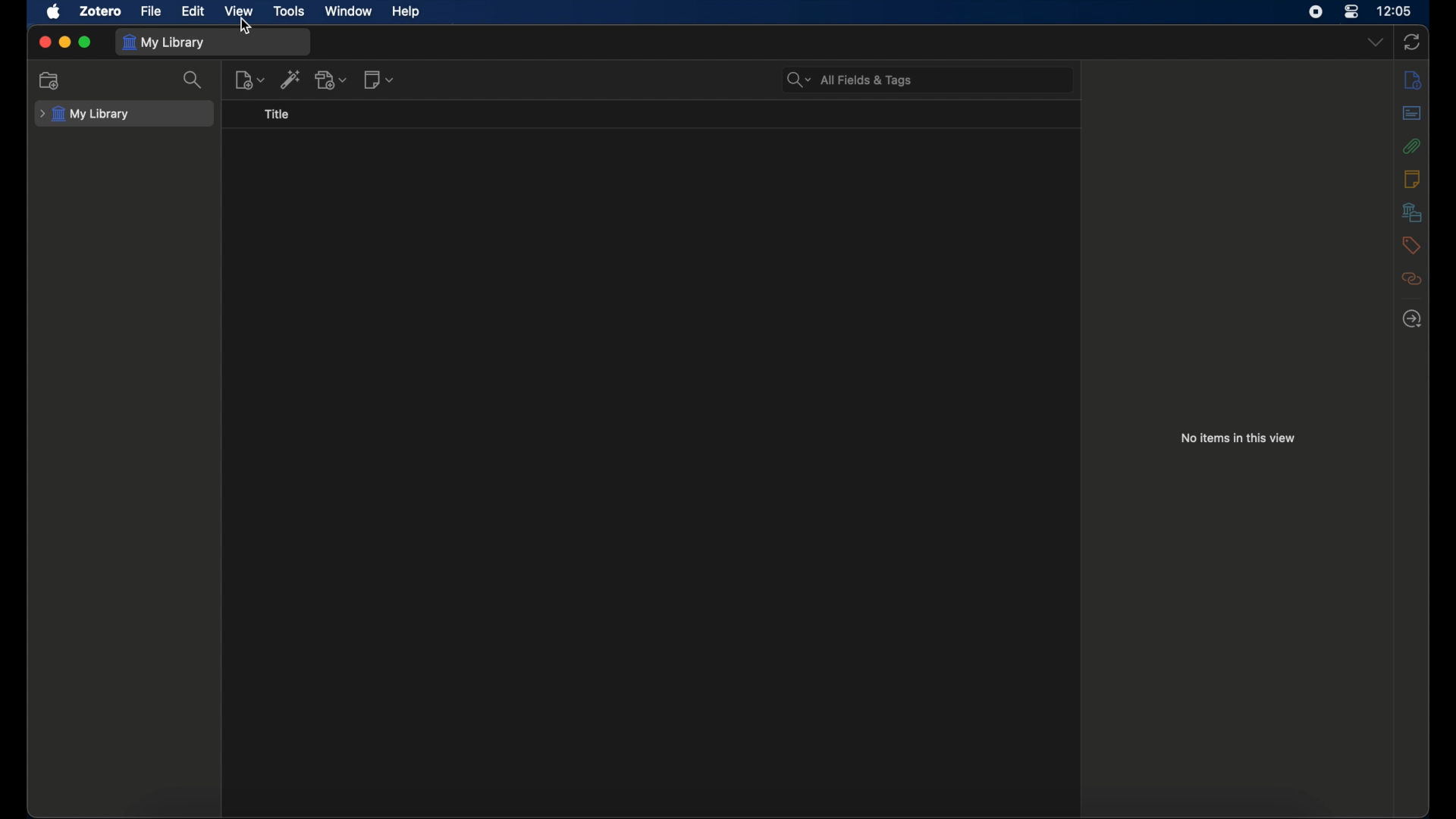 This screenshot has width=1456, height=819. What do you see at coordinates (49, 80) in the screenshot?
I see `new collection` at bounding box center [49, 80].